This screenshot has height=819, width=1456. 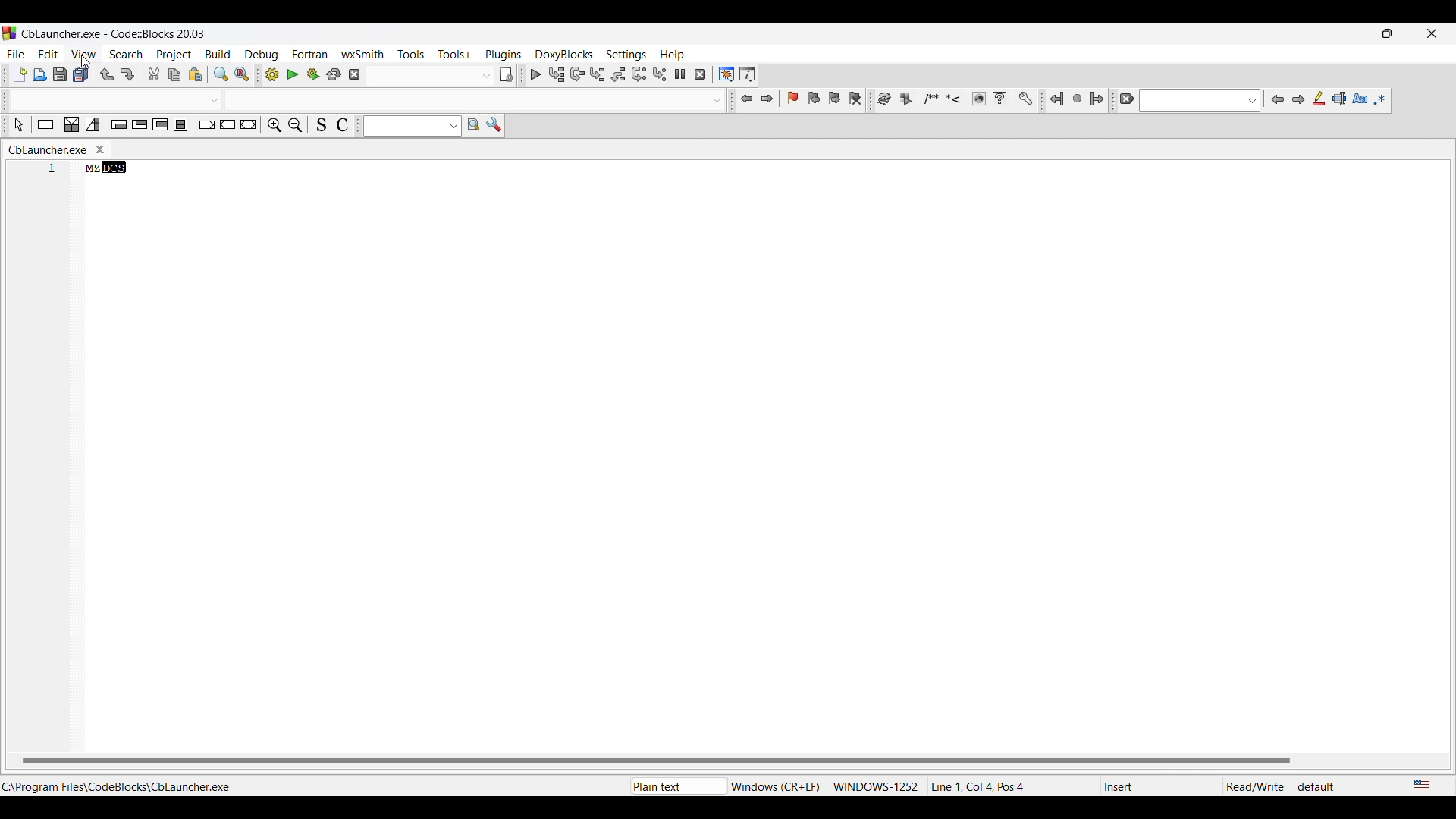 I want to click on Stop debugger, so click(x=700, y=74).